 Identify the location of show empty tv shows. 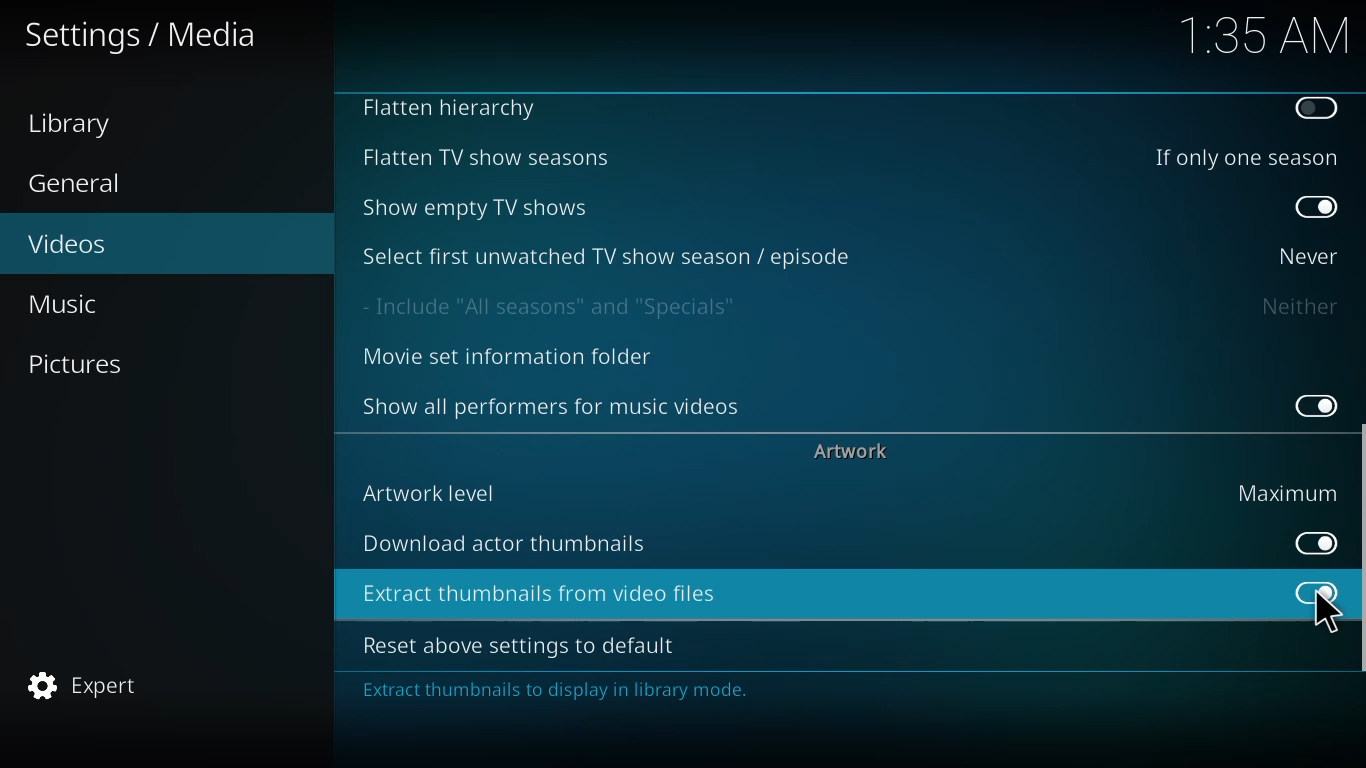
(479, 207).